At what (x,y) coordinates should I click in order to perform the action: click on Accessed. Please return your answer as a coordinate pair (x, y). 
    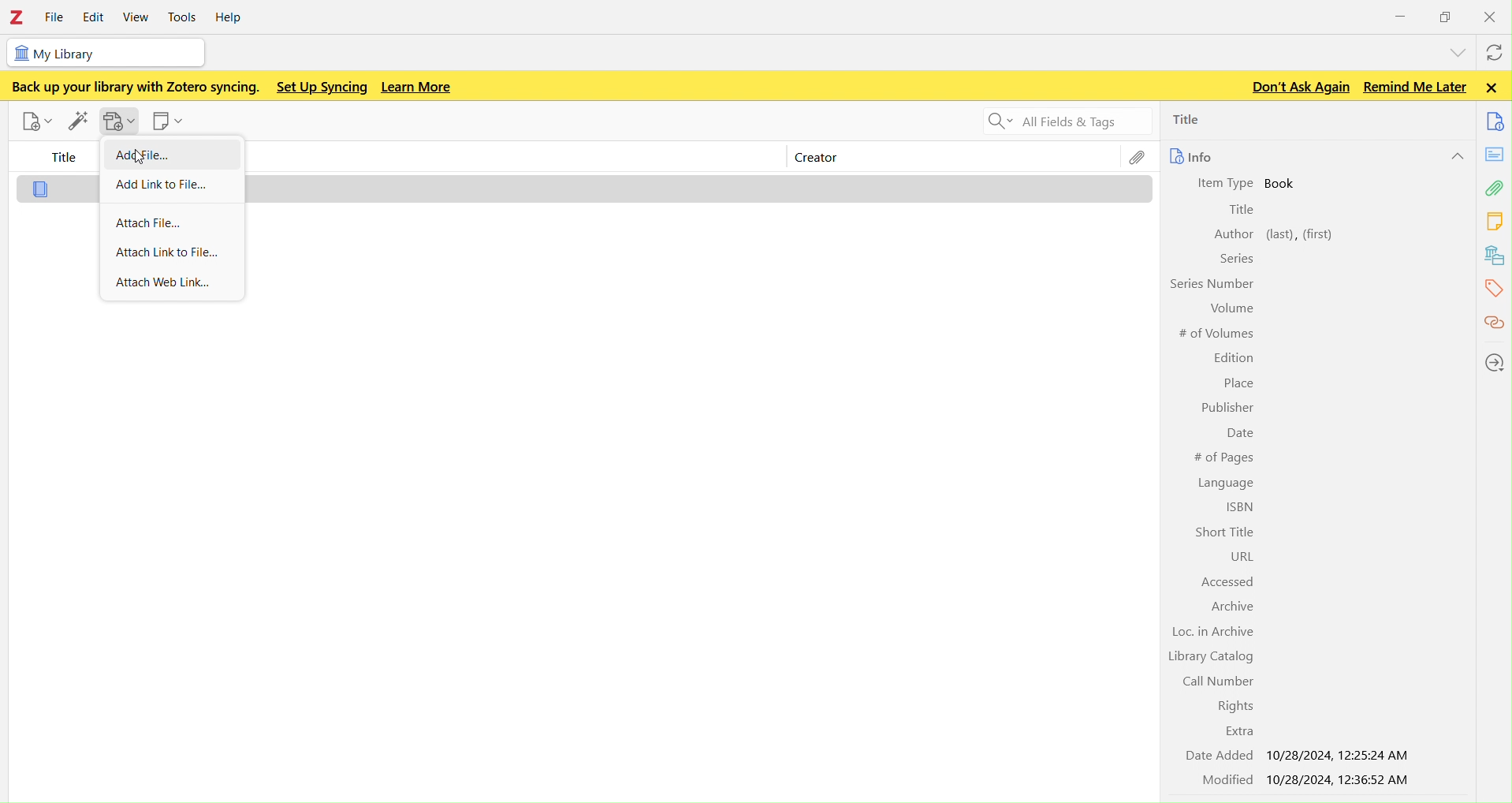
    Looking at the image, I should click on (1229, 581).